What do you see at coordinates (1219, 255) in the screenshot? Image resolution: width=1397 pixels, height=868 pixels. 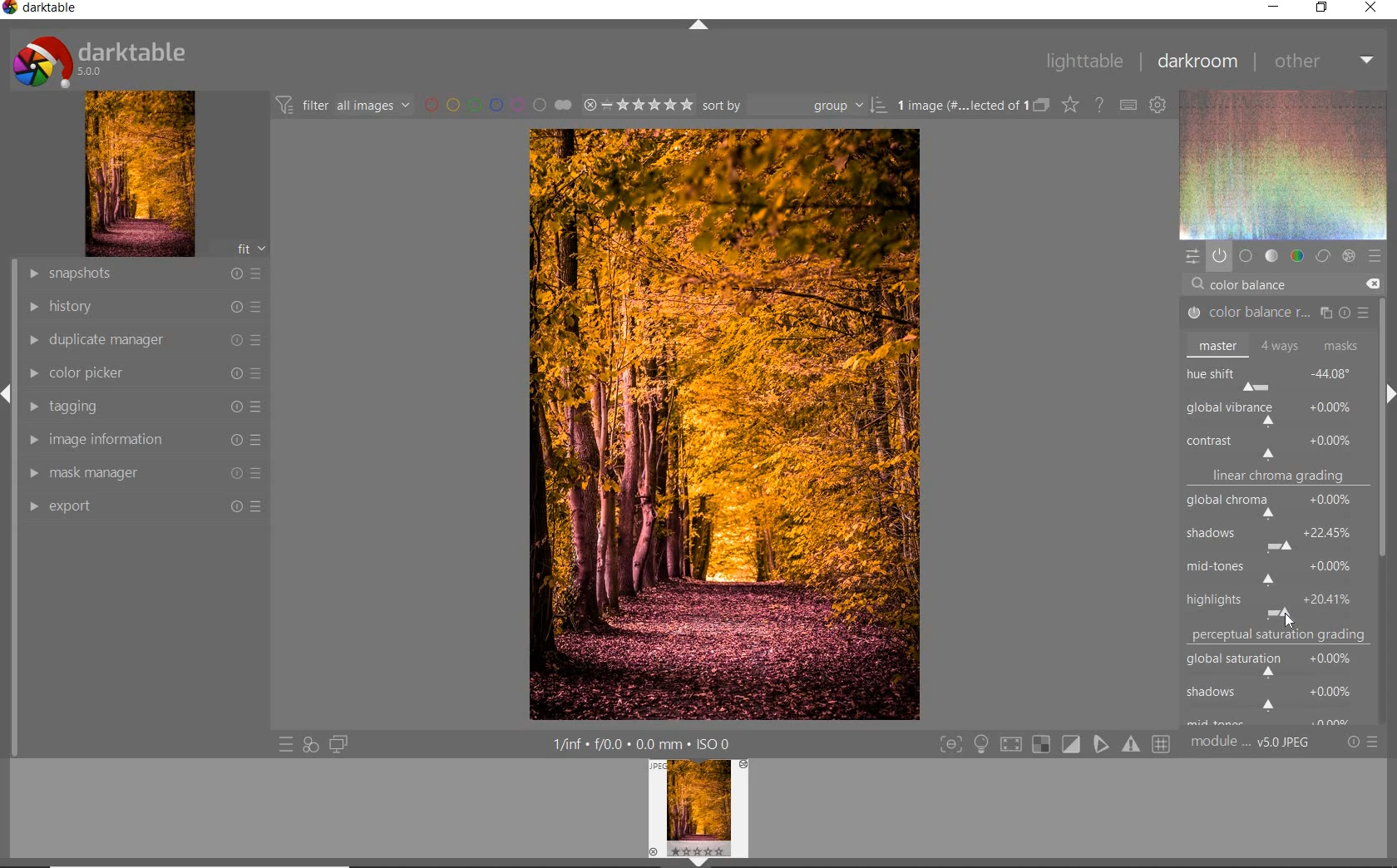 I see `show only active module` at bounding box center [1219, 255].